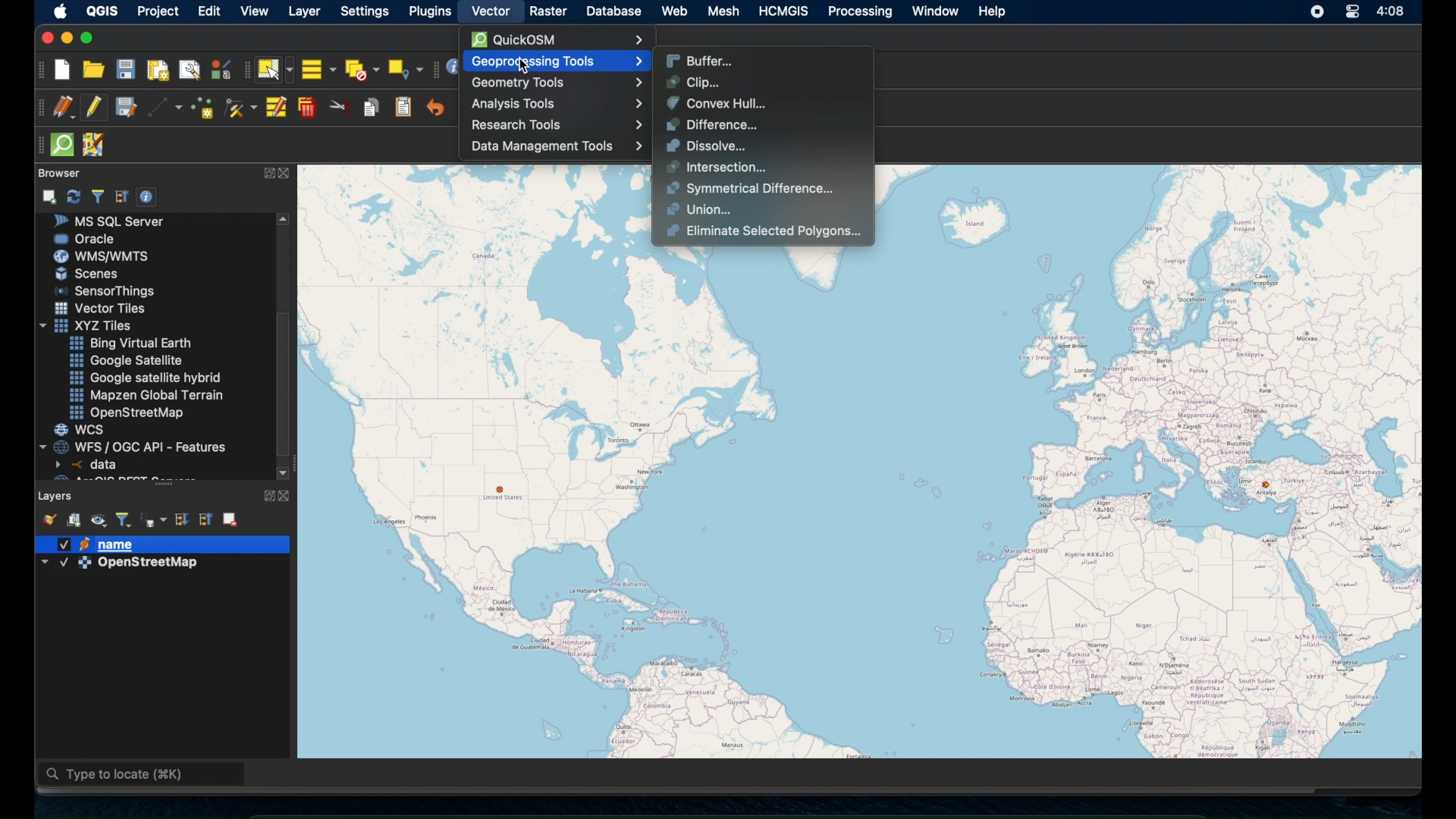  Describe the element at coordinates (435, 68) in the screenshot. I see `attributes toolbar` at that location.